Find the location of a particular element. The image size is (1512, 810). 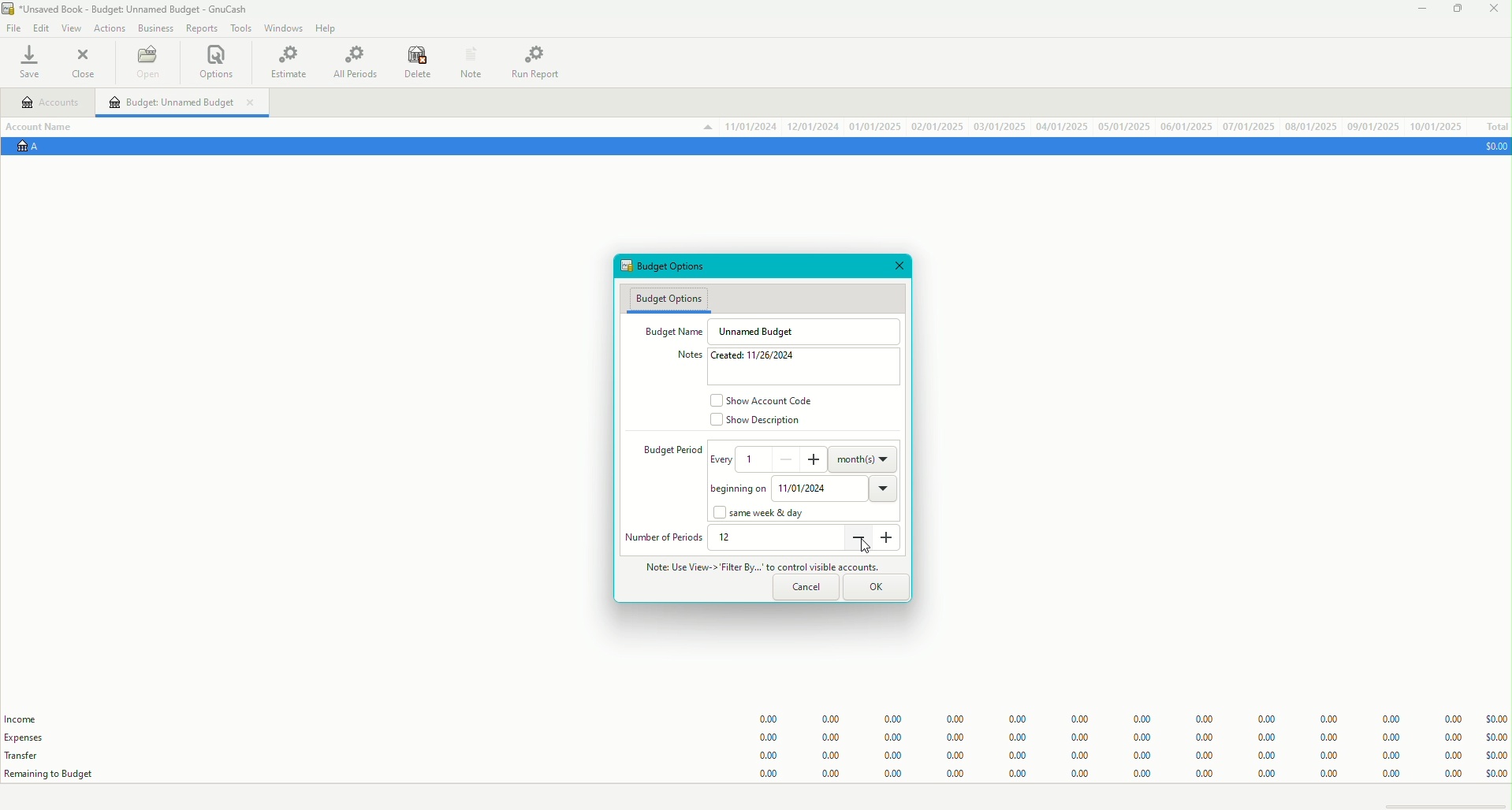

OK is located at coordinates (879, 585).